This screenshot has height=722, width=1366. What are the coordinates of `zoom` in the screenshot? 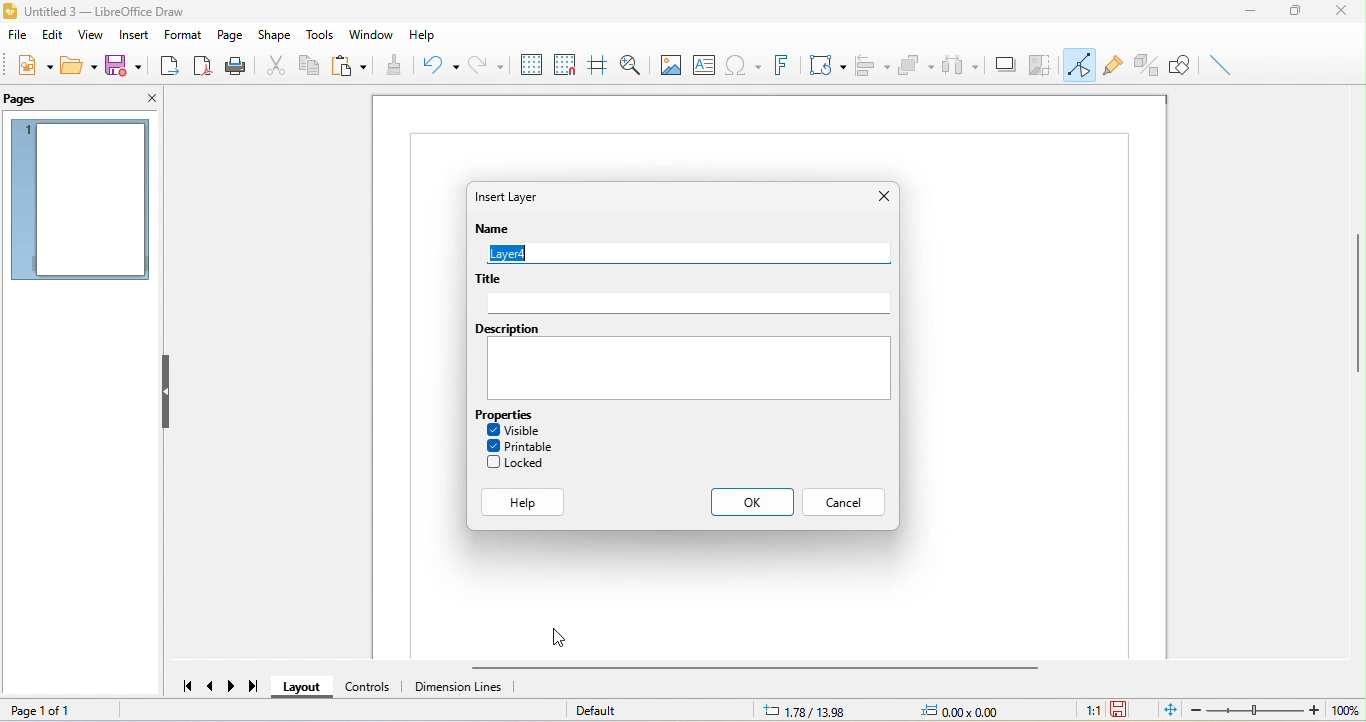 It's located at (1276, 711).